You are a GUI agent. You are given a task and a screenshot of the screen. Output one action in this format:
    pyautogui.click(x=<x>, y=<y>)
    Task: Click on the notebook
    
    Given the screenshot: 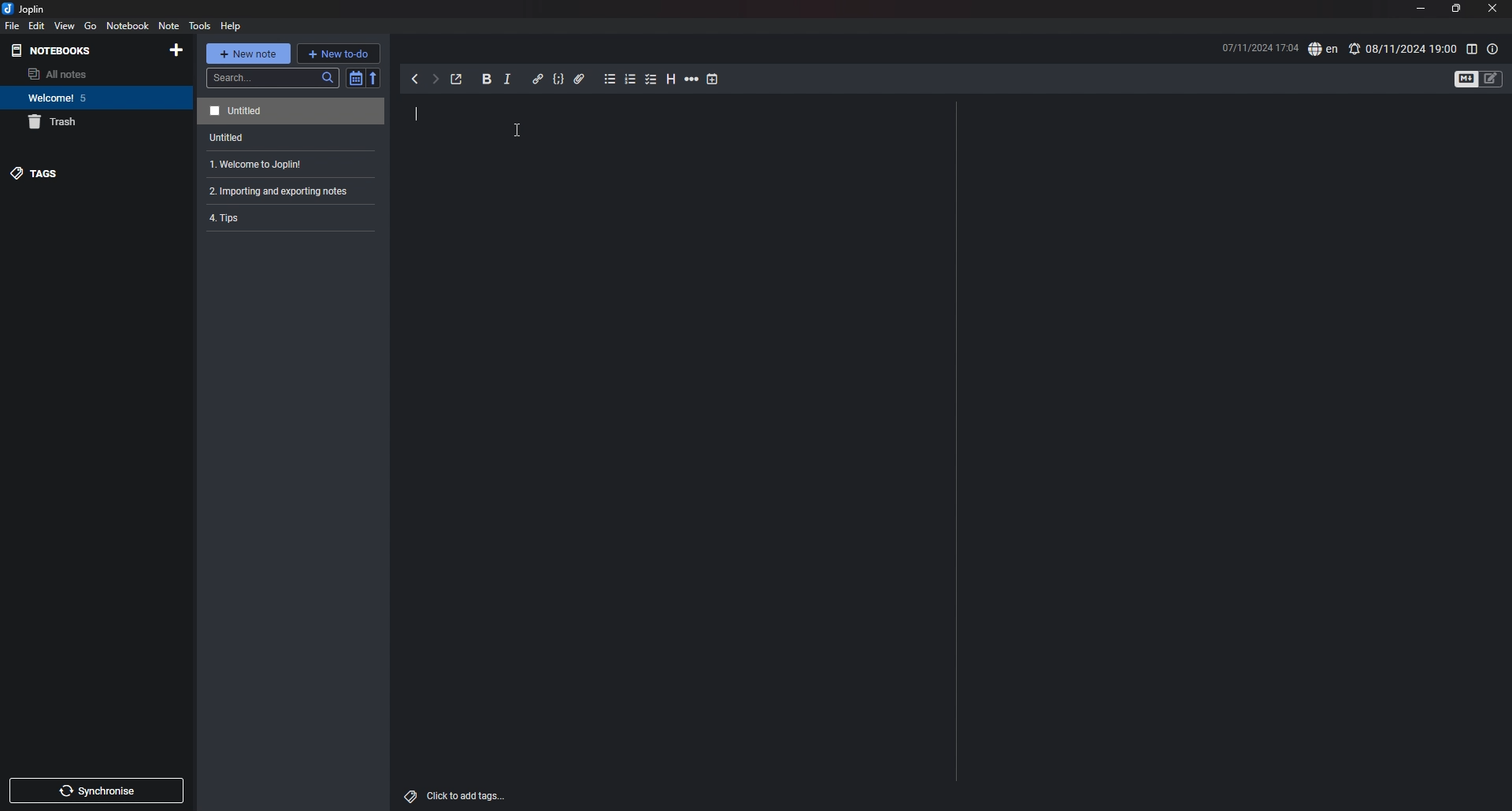 What is the action you would take?
    pyautogui.click(x=90, y=97)
    